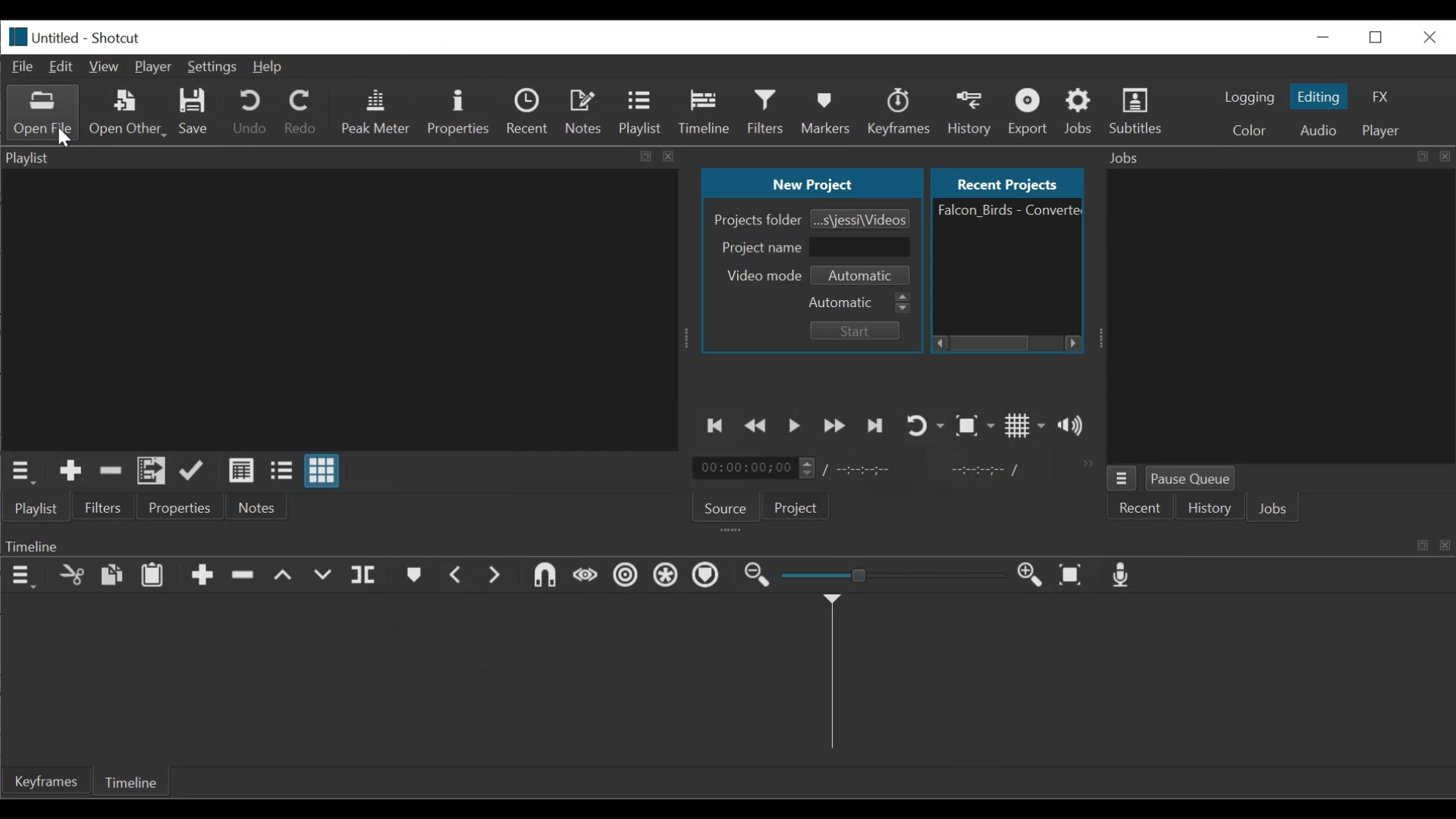 This screenshot has width=1456, height=819. I want to click on Adjust Zoom timeline Slider, so click(891, 576).